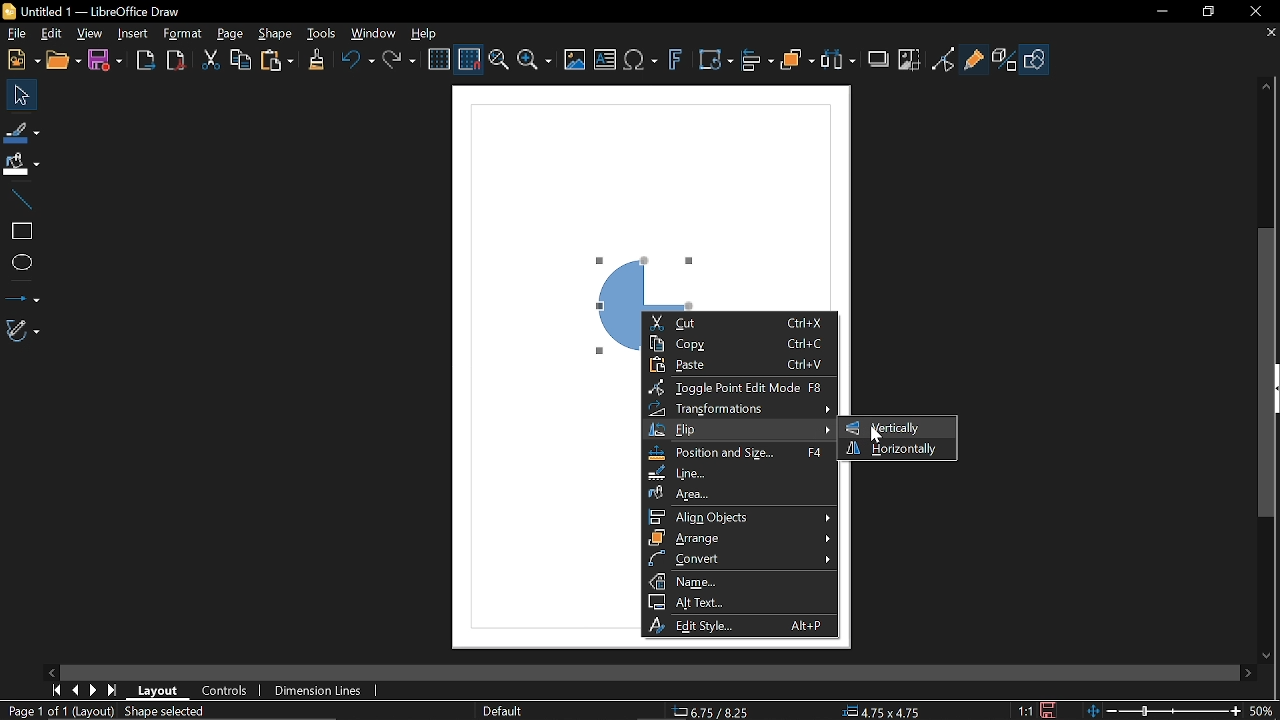 This screenshot has height=720, width=1280. What do you see at coordinates (1051, 709) in the screenshot?
I see `Save` at bounding box center [1051, 709].